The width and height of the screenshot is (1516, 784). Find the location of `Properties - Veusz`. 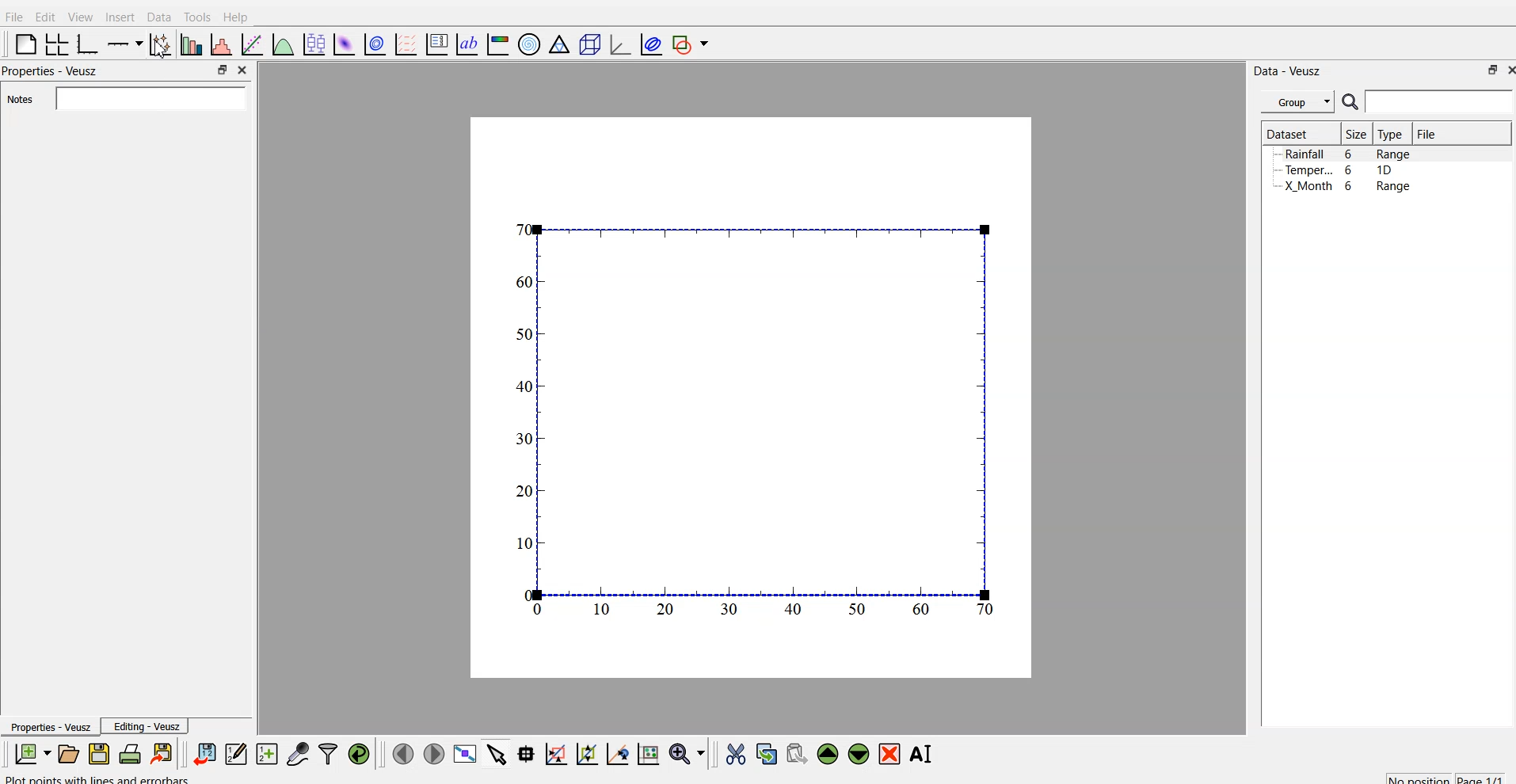

Properties - Veusz is located at coordinates (49, 726).